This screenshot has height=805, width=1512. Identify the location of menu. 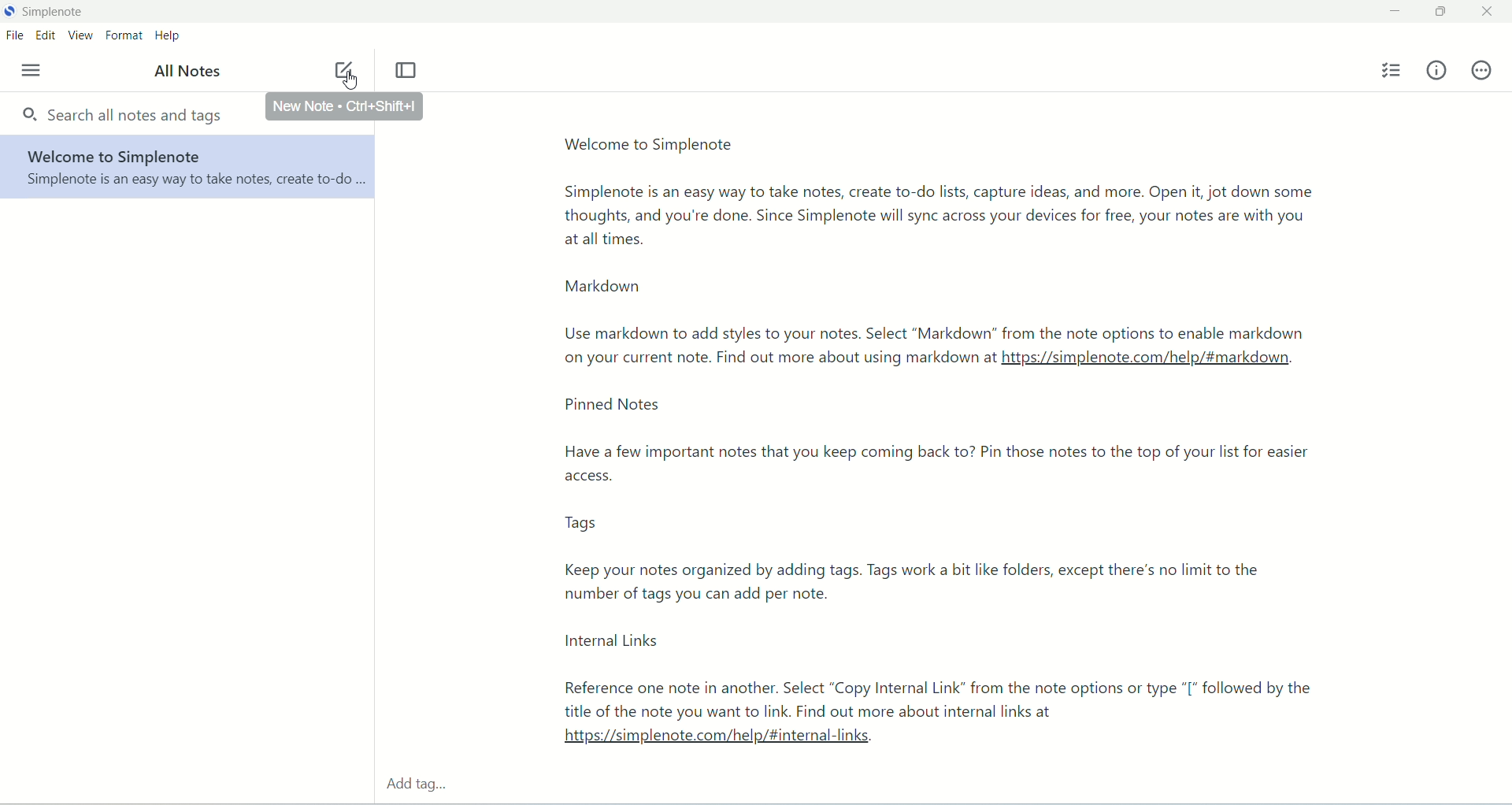
(27, 70).